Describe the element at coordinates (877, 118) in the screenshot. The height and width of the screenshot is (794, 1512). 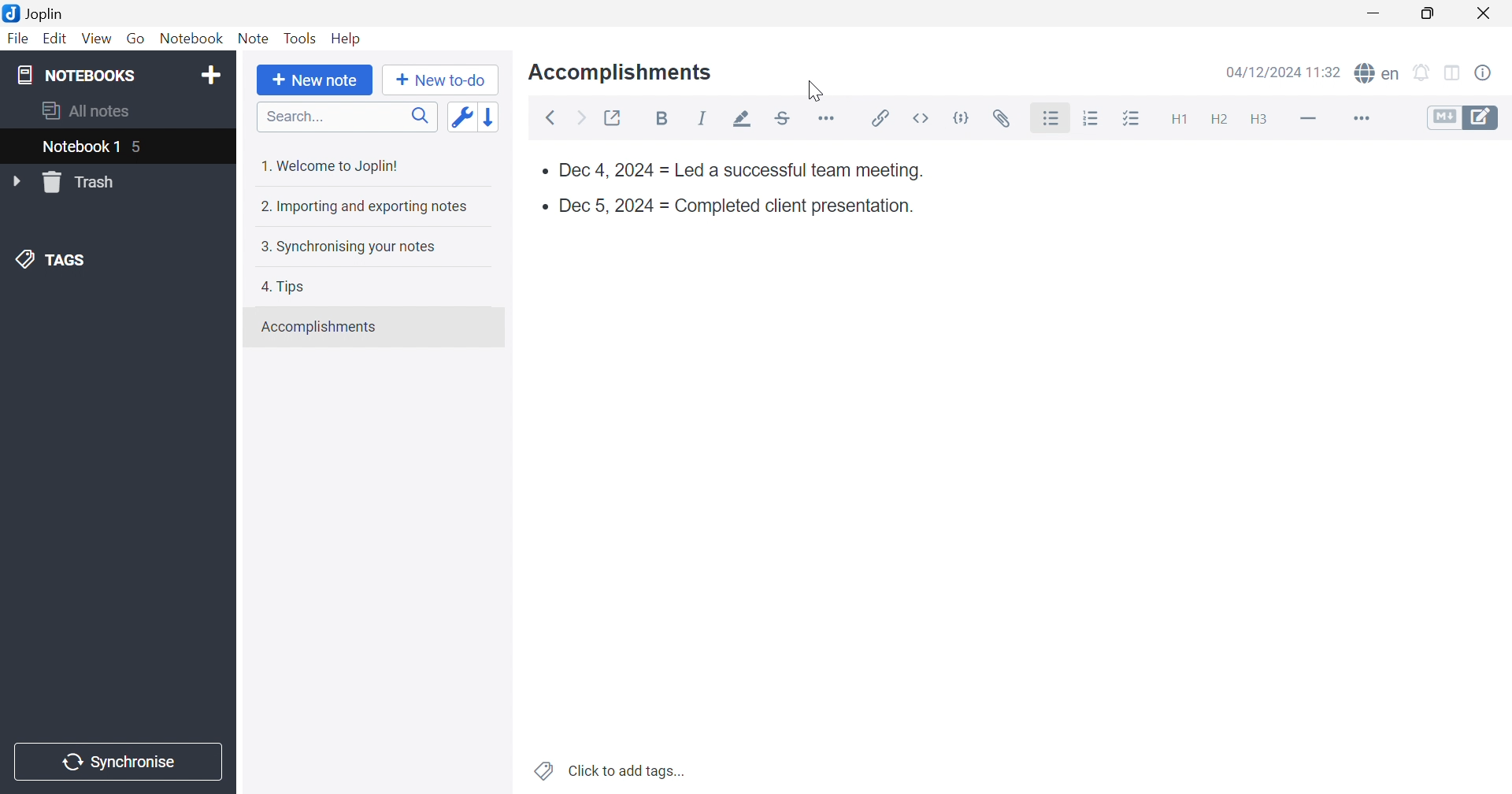
I see `Insert / edit code` at that location.